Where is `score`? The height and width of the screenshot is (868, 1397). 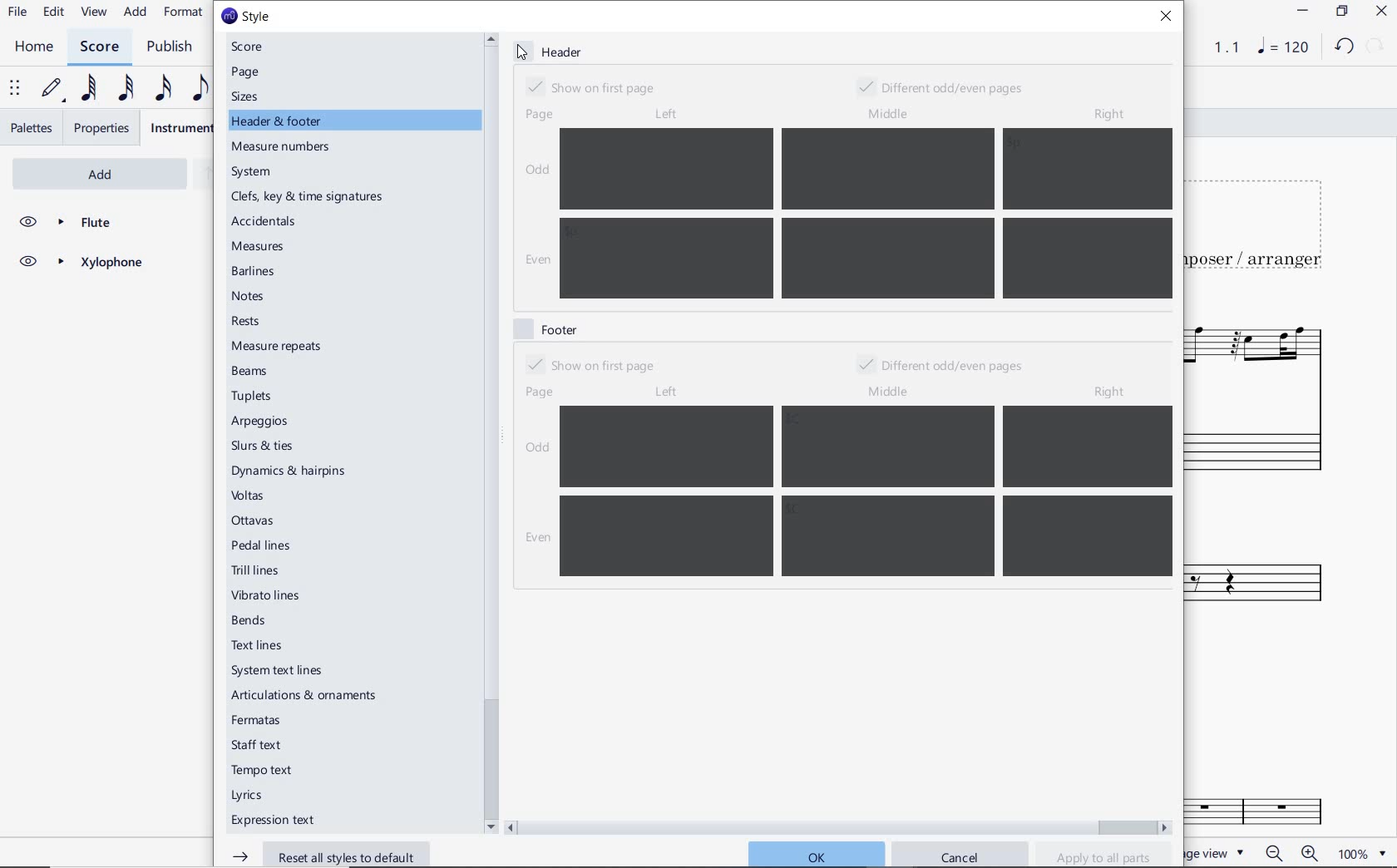 score is located at coordinates (254, 47).